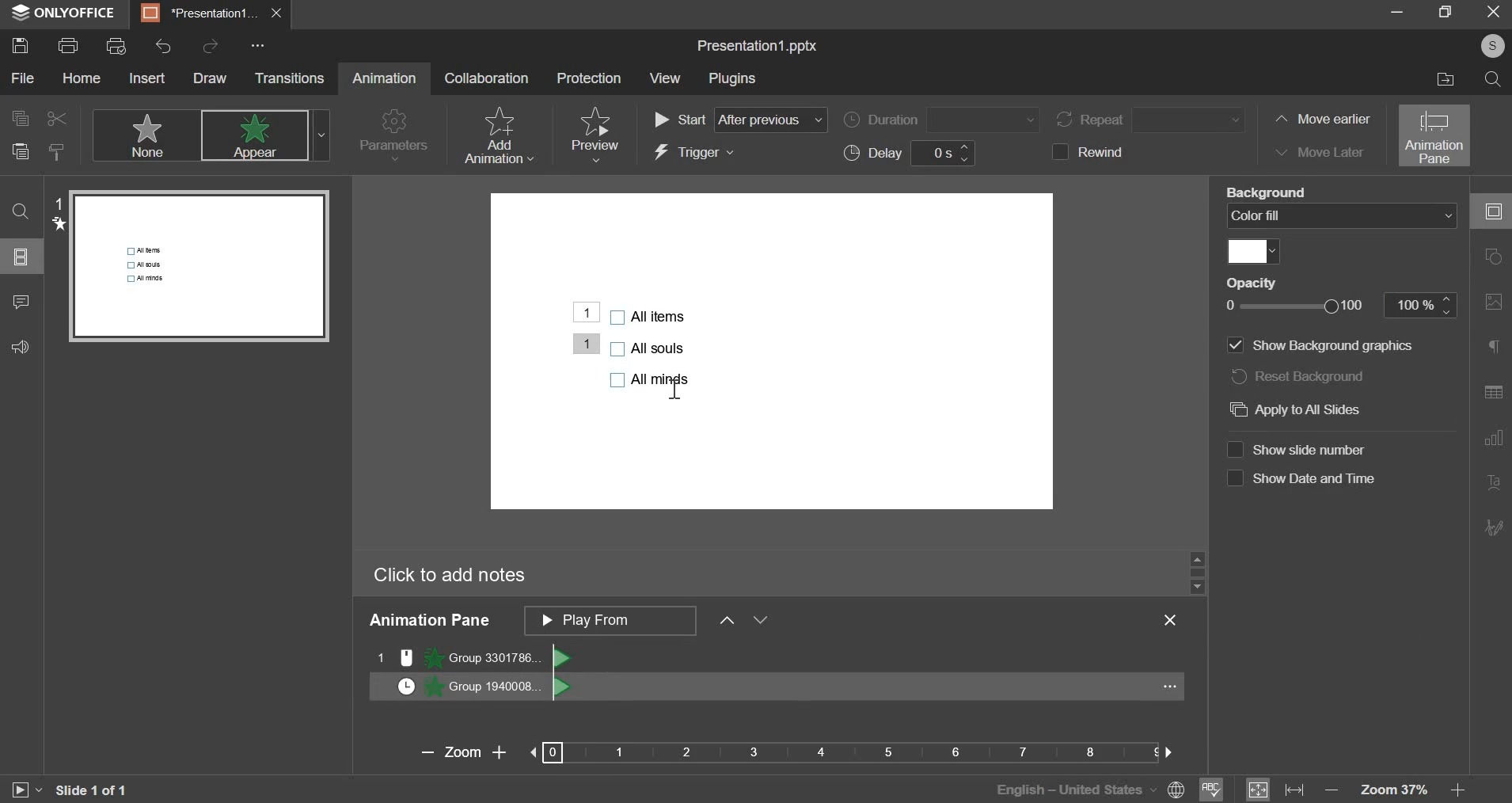  Describe the element at coordinates (1318, 347) in the screenshot. I see `show background graphics` at that location.